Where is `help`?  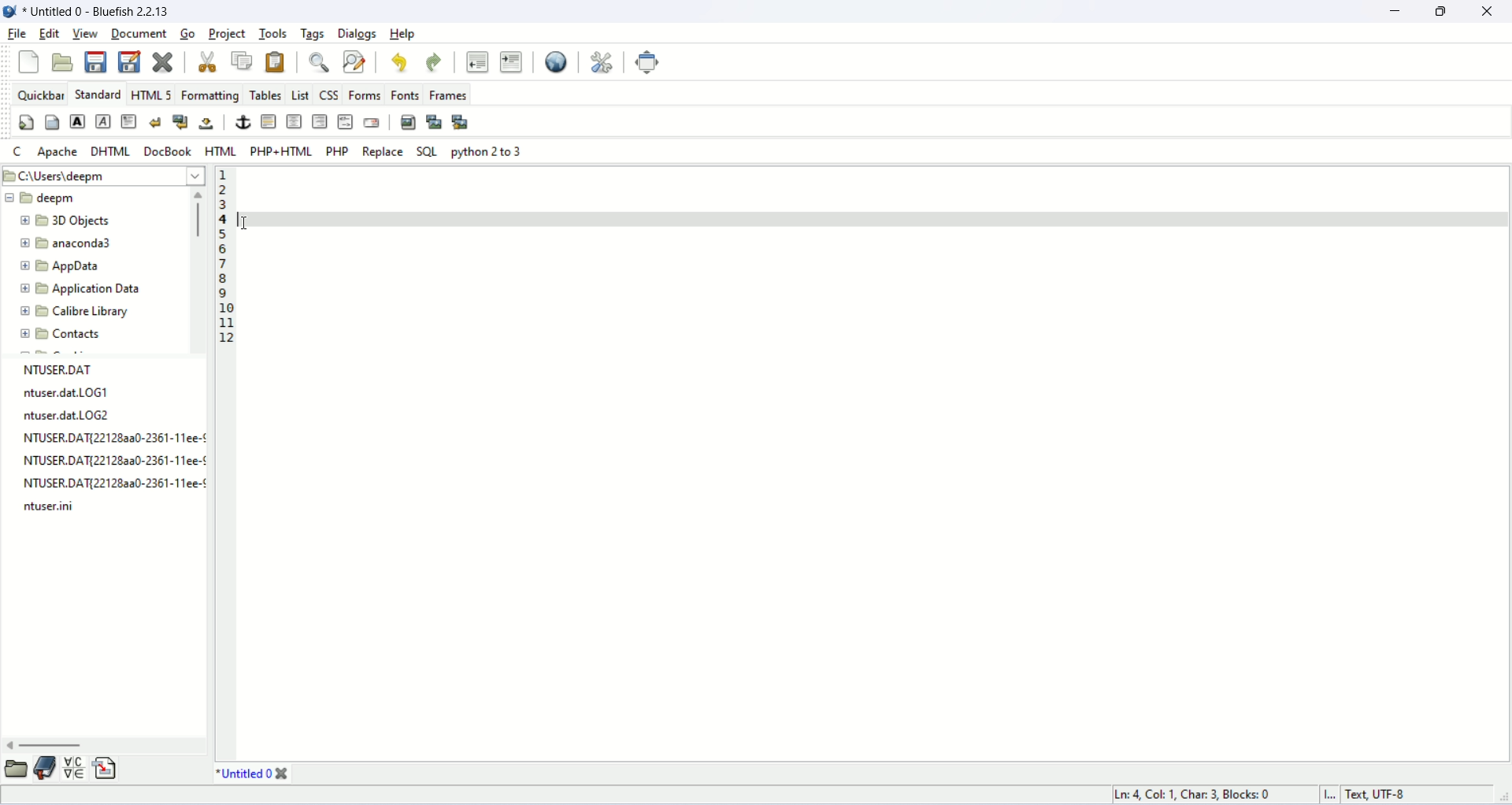 help is located at coordinates (403, 33).